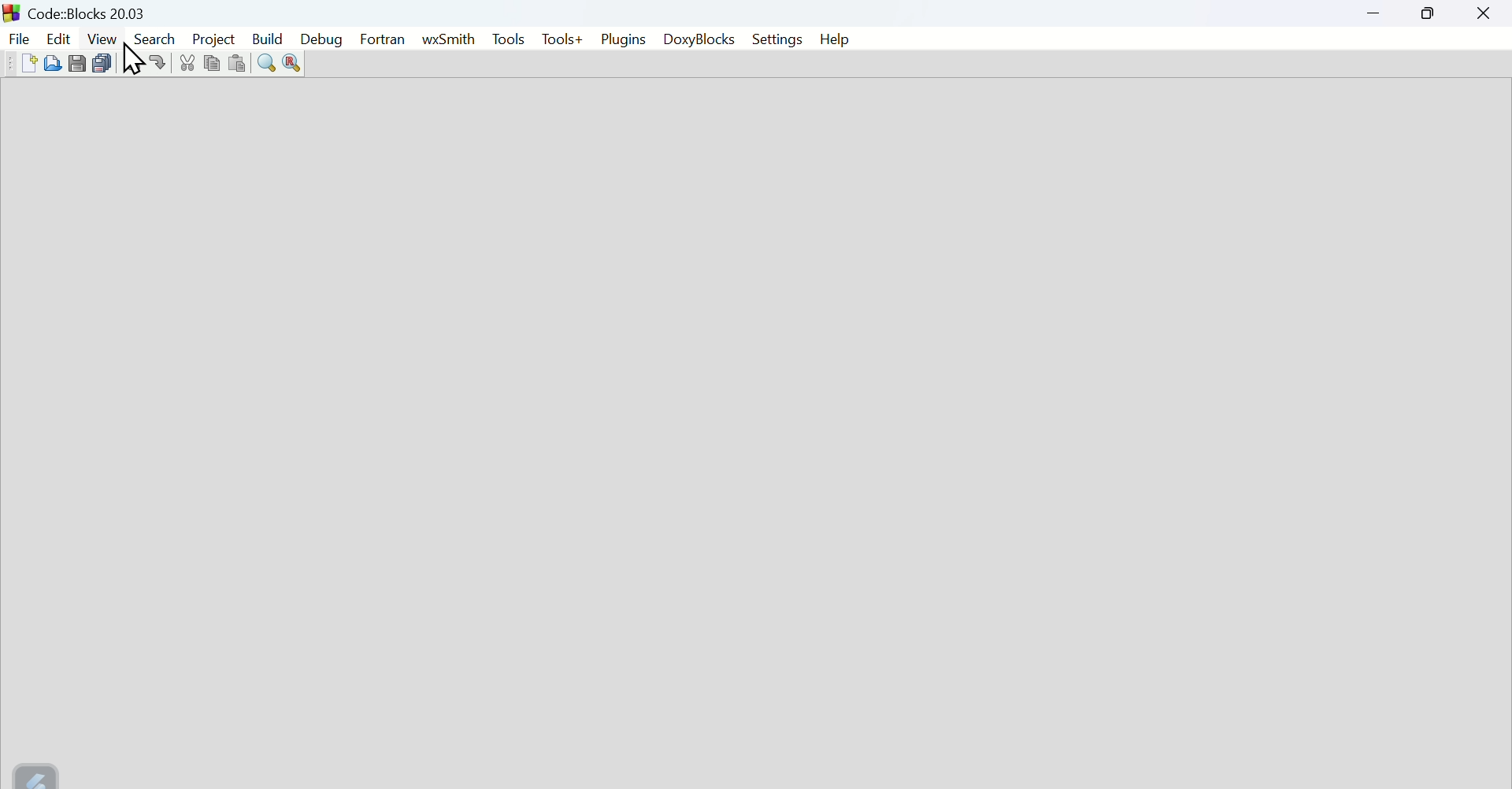  Describe the element at coordinates (562, 40) in the screenshot. I see `Tools+` at that location.